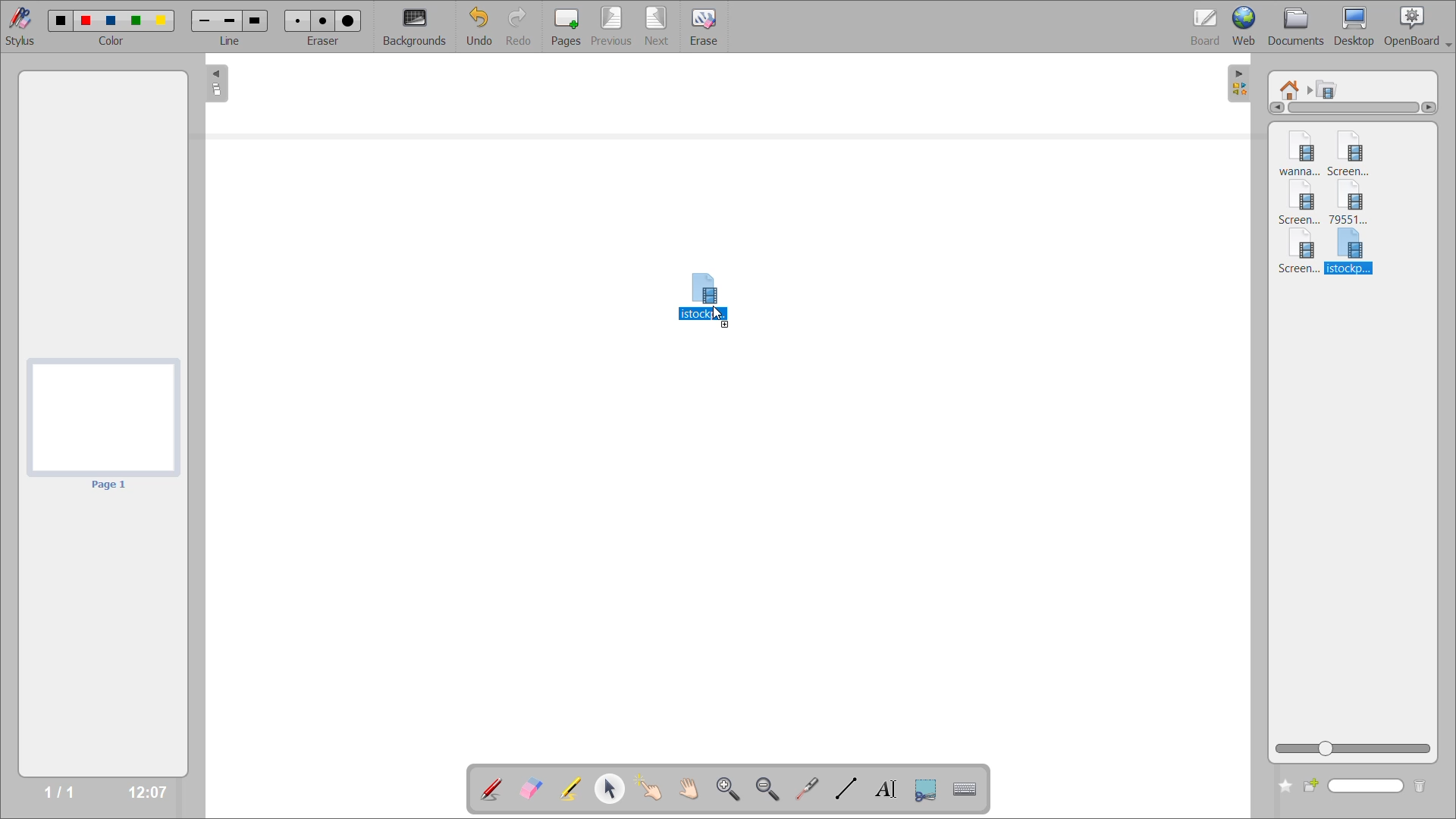  What do you see at coordinates (325, 42) in the screenshot?
I see `eraser ` at bounding box center [325, 42].